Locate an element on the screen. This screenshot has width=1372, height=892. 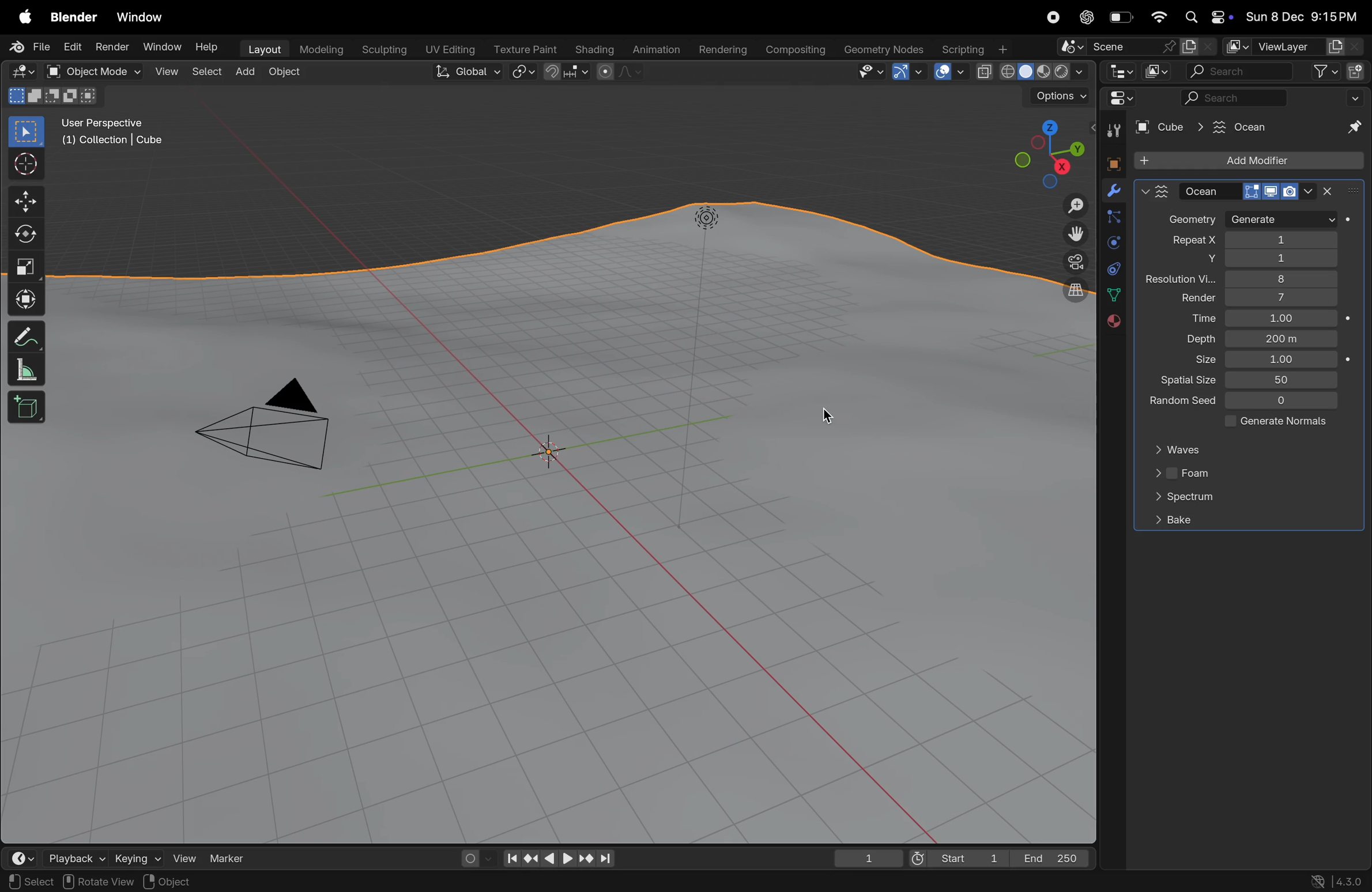
cursor is located at coordinates (819, 418).